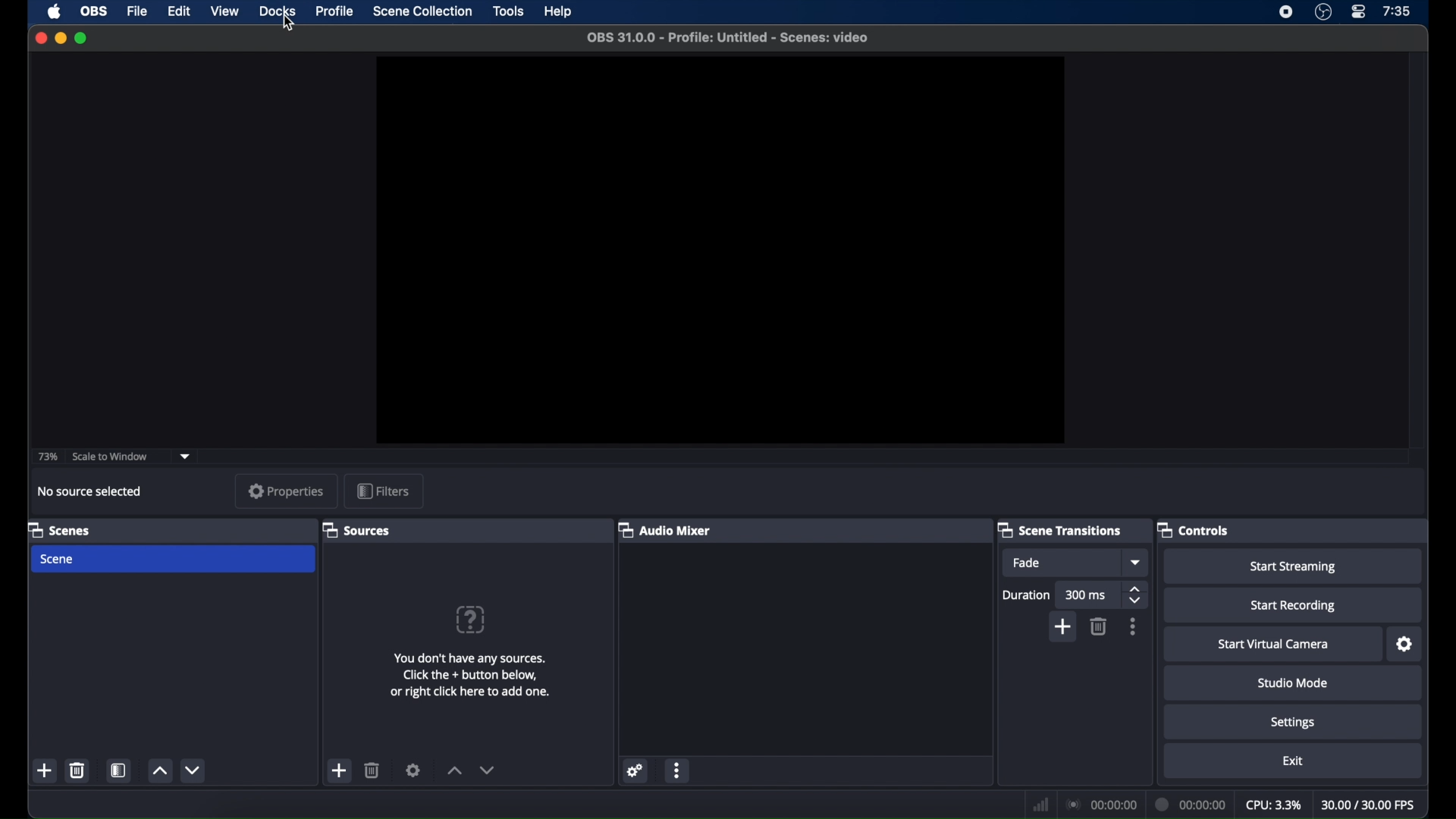  What do you see at coordinates (277, 11) in the screenshot?
I see `docks` at bounding box center [277, 11].